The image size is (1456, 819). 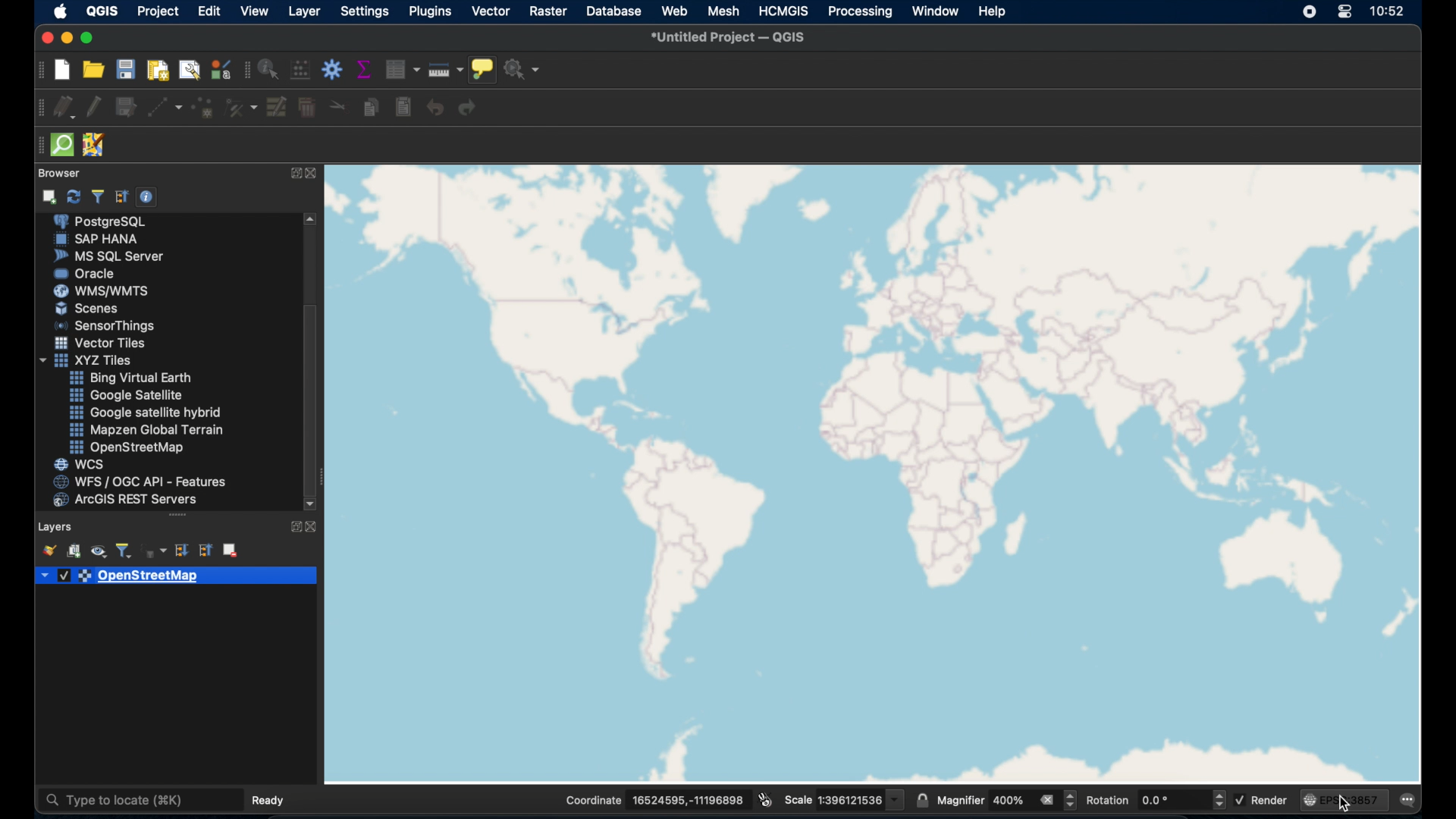 What do you see at coordinates (434, 109) in the screenshot?
I see `undo` at bounding box center [434, 109].